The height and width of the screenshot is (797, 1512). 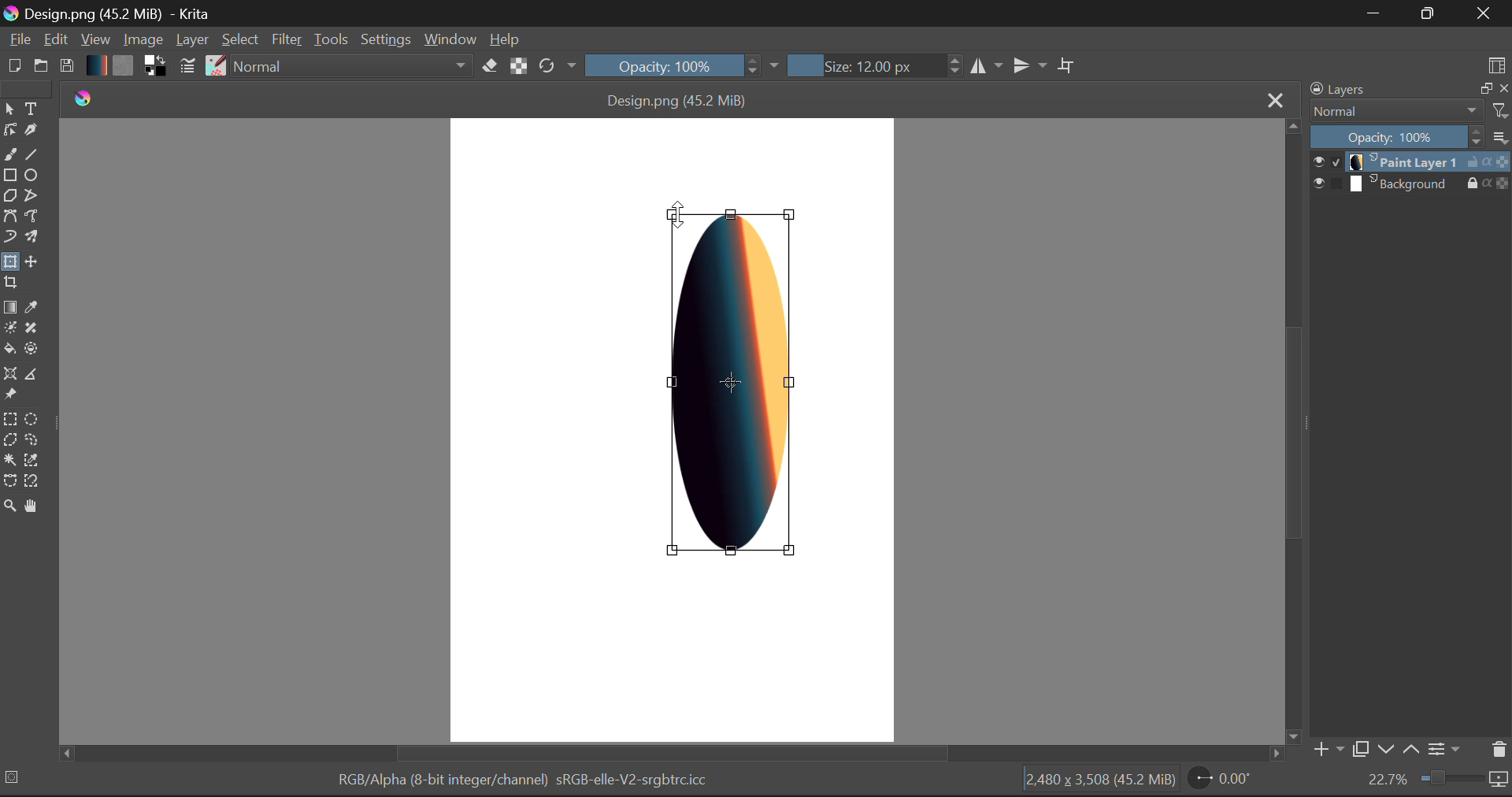 I want to click on Bezier Curve Selection, so click(x=9, y=483).